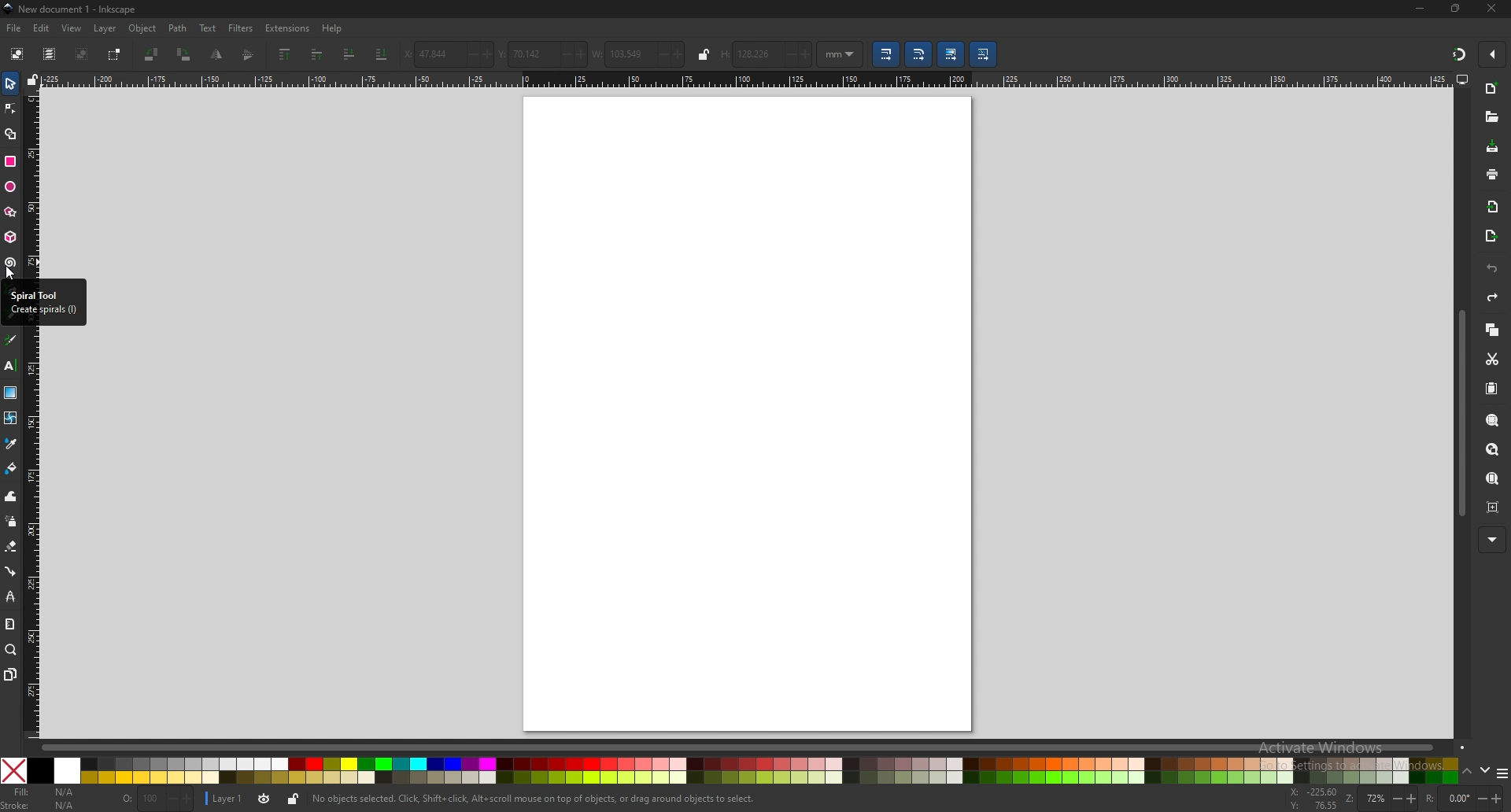 The image size is (1511, 812). Describe the element at coordinates (49, 54) in the screenshot. I see `select all in all layers` at that location.